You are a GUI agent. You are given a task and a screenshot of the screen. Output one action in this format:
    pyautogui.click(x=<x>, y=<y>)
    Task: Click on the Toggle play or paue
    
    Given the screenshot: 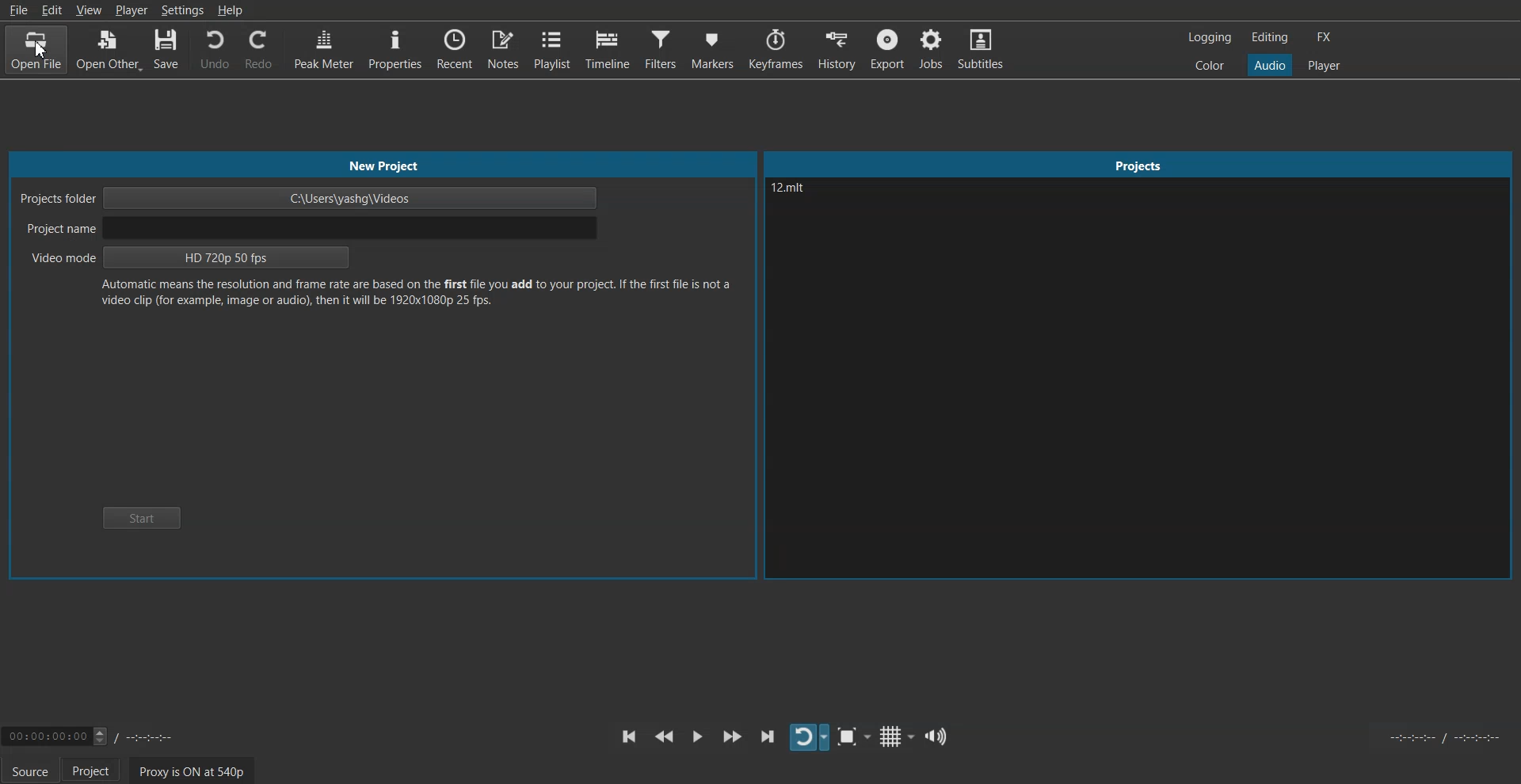 What is the action you would take?
    pyautogui.click(x=697, y=736)
    